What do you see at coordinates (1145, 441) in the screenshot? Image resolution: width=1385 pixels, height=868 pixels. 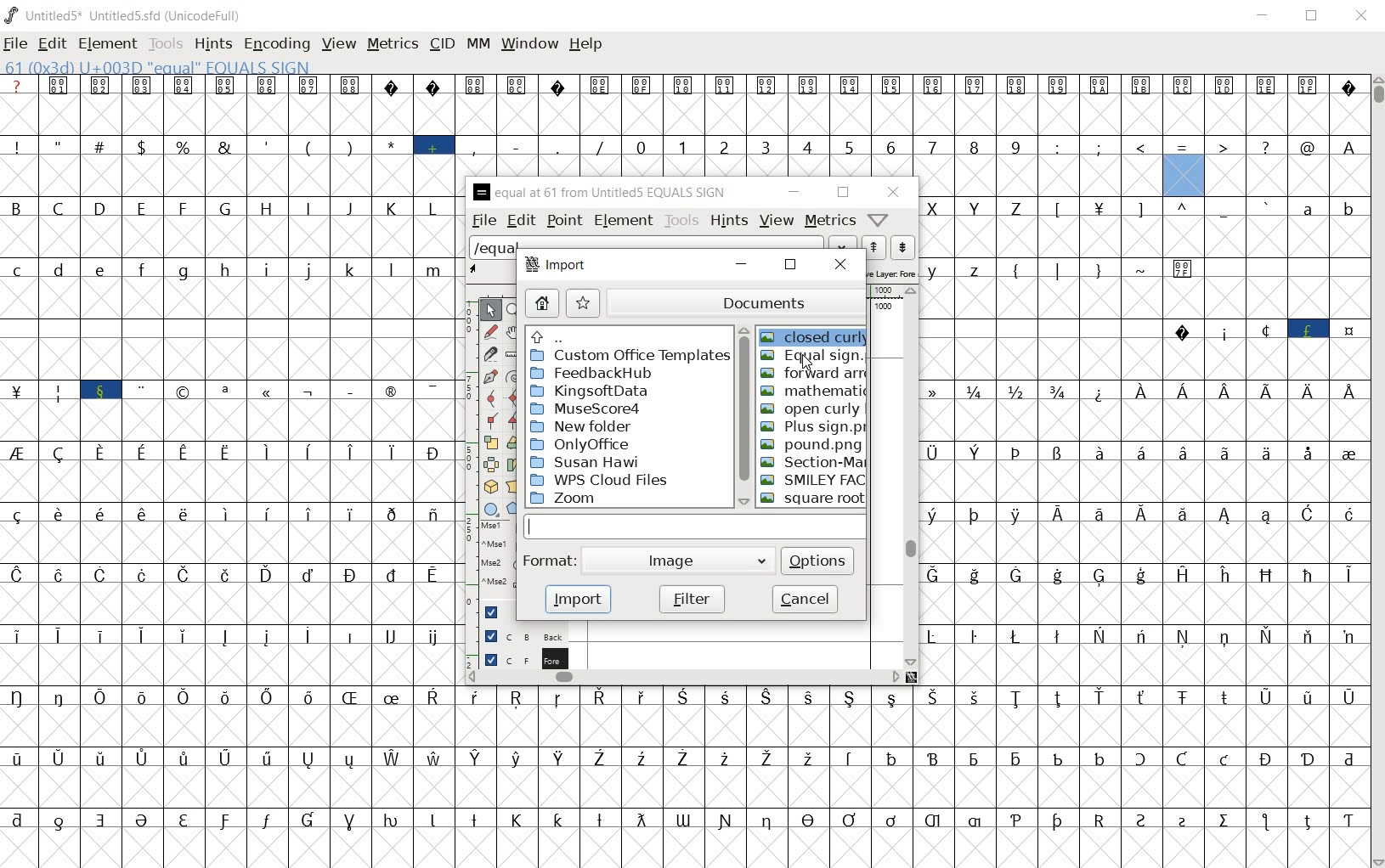 I see `glyph characters` at bounding box center [1145, 441].